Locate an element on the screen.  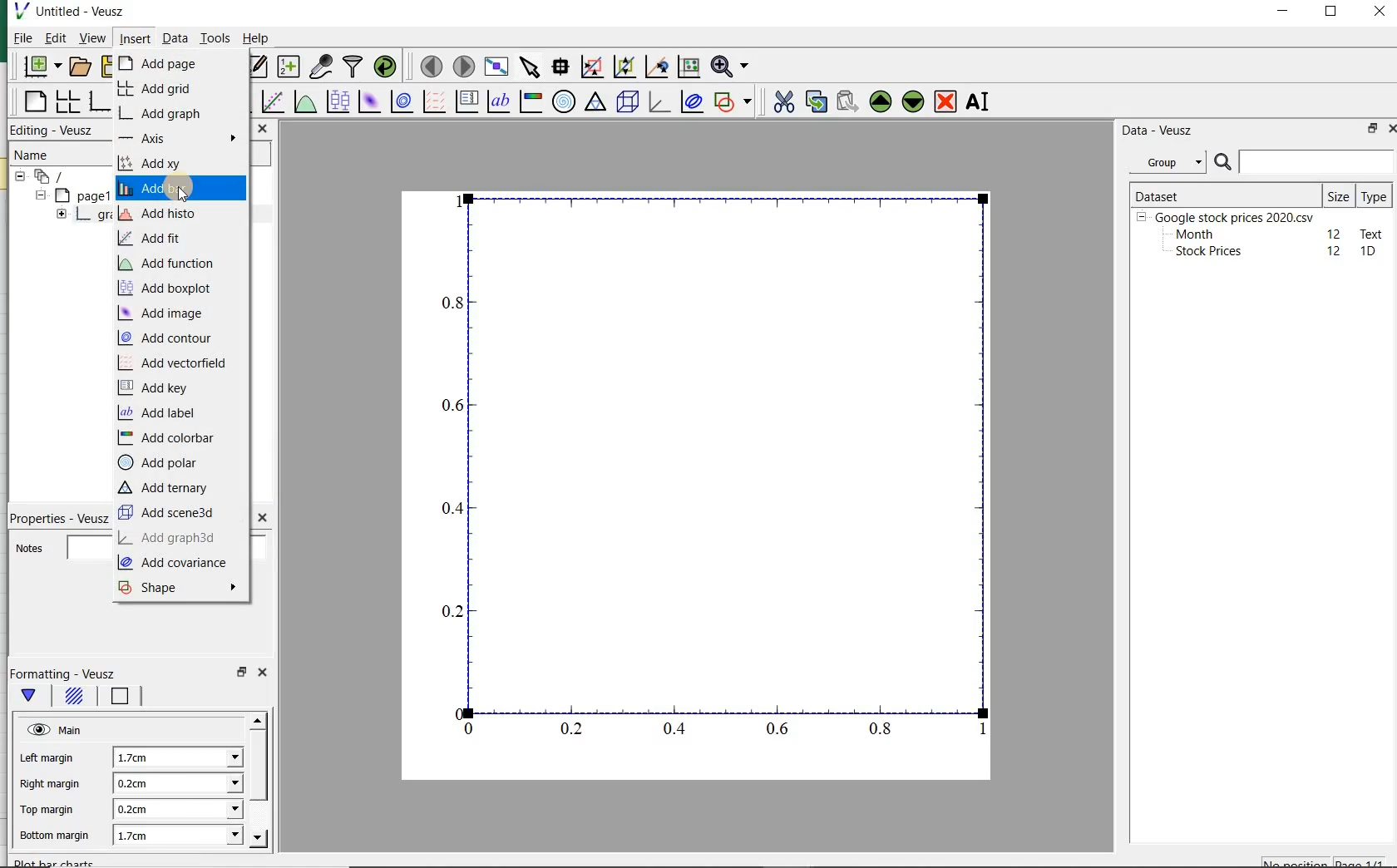
read data points on the graph is located at coordinates (559, 67).